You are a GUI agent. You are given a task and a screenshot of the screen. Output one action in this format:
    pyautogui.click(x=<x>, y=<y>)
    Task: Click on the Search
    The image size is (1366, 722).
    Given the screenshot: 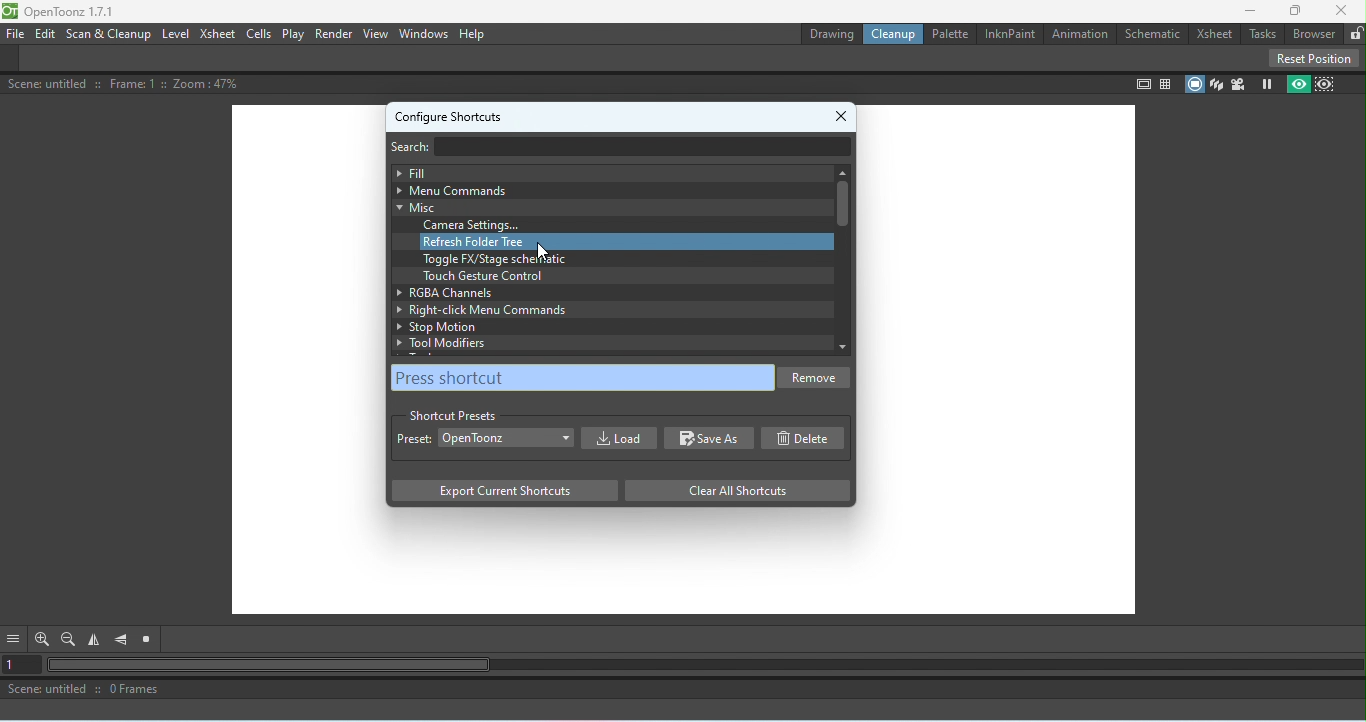 What is the action you would take?
    pyautogui.click(x=419, y=145)
    